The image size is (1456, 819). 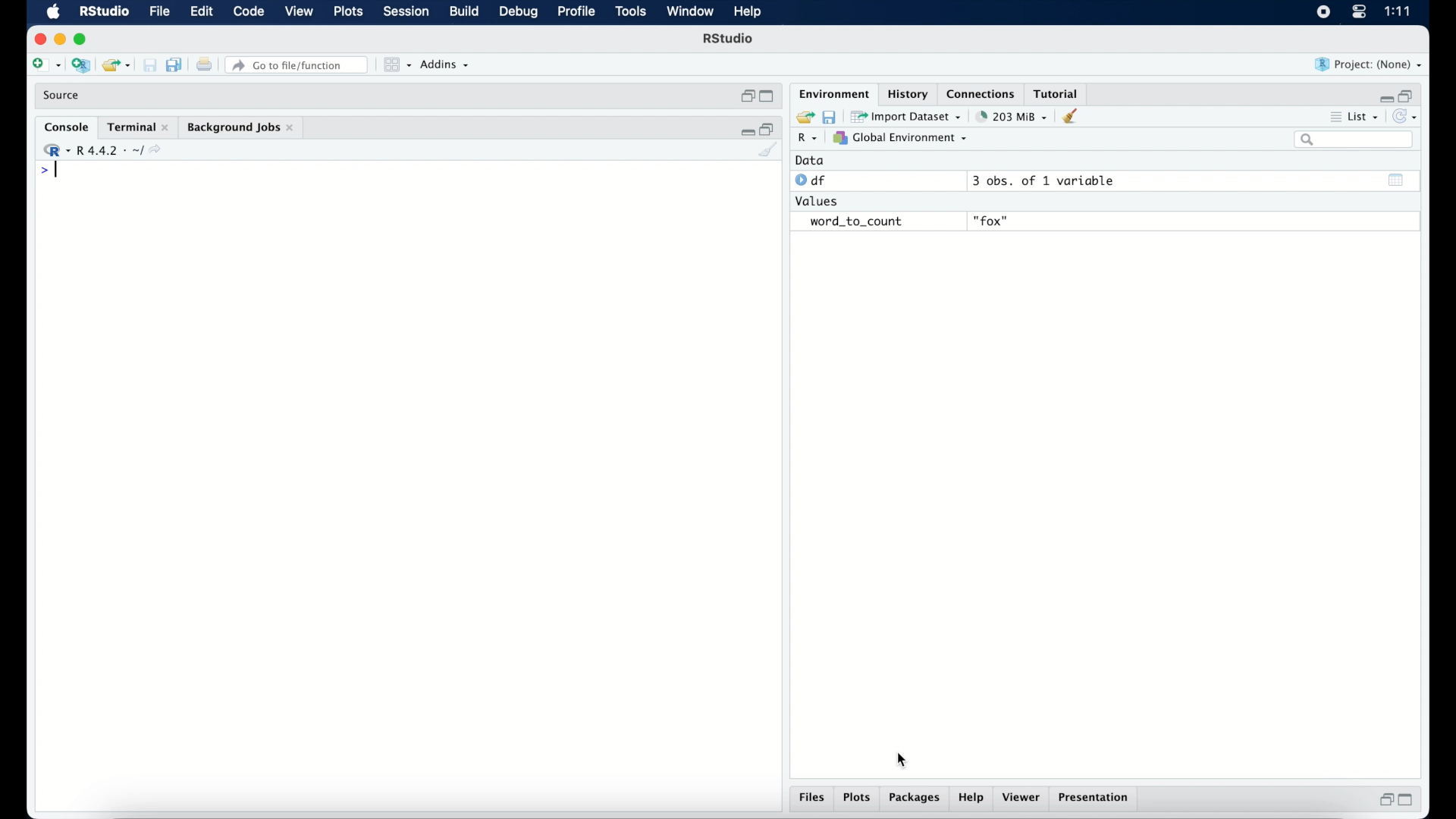 What do you see at coordinates (405, 12) in the screenshot?
I see `session` at bounding box center [405, 12].